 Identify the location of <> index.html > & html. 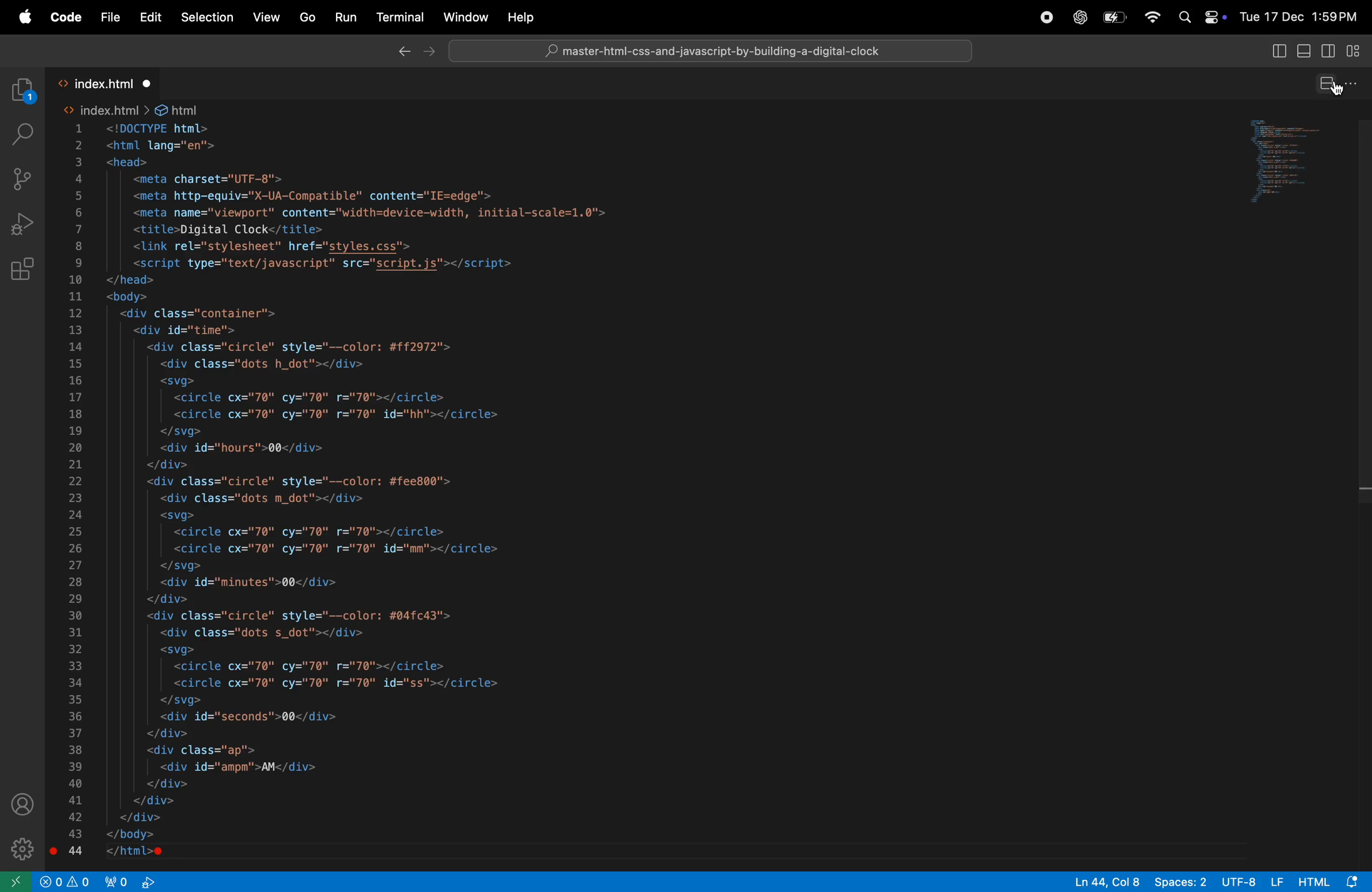
(133, 108).